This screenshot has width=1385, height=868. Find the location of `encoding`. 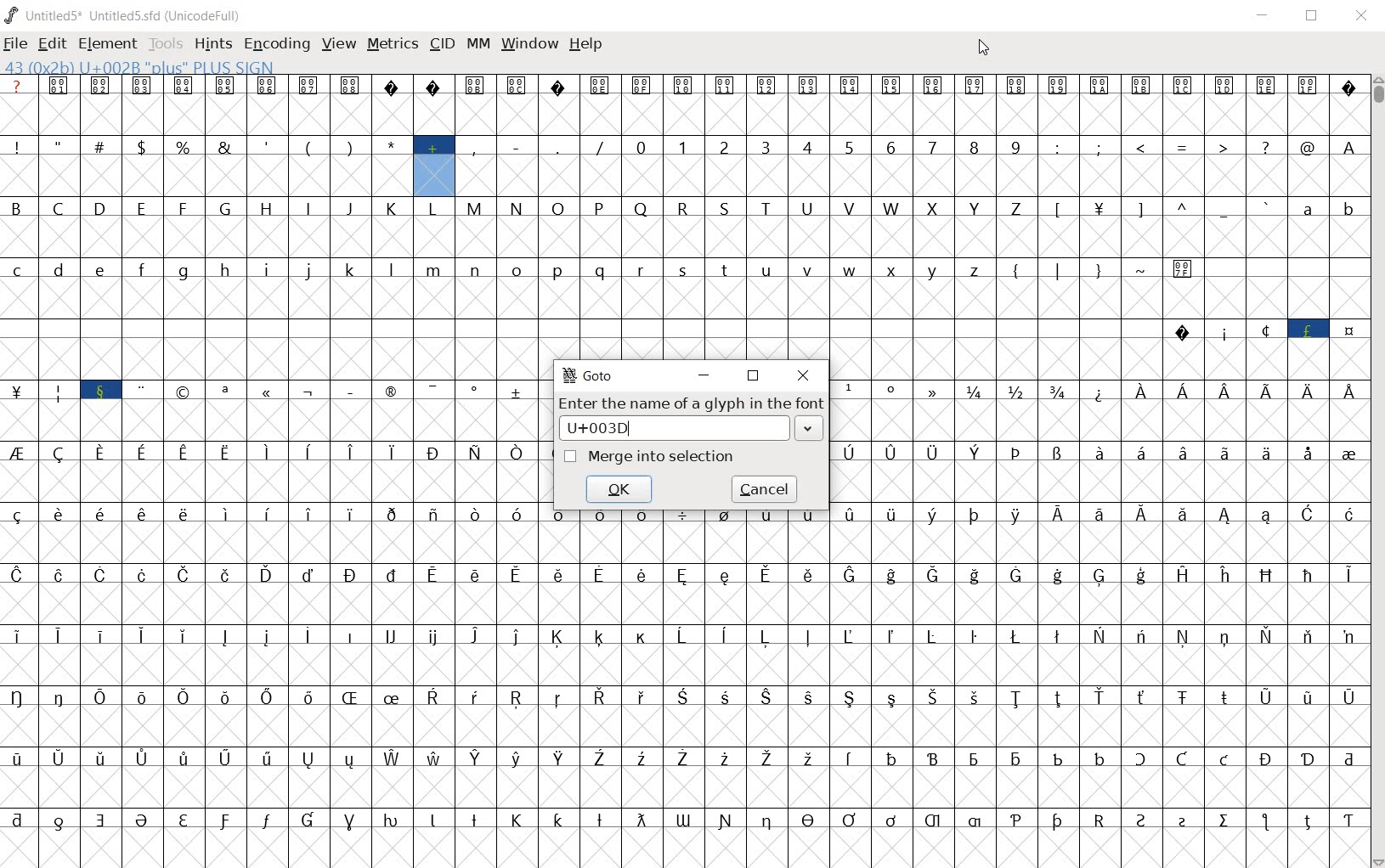

encoding is located at coordinates (274, 43).